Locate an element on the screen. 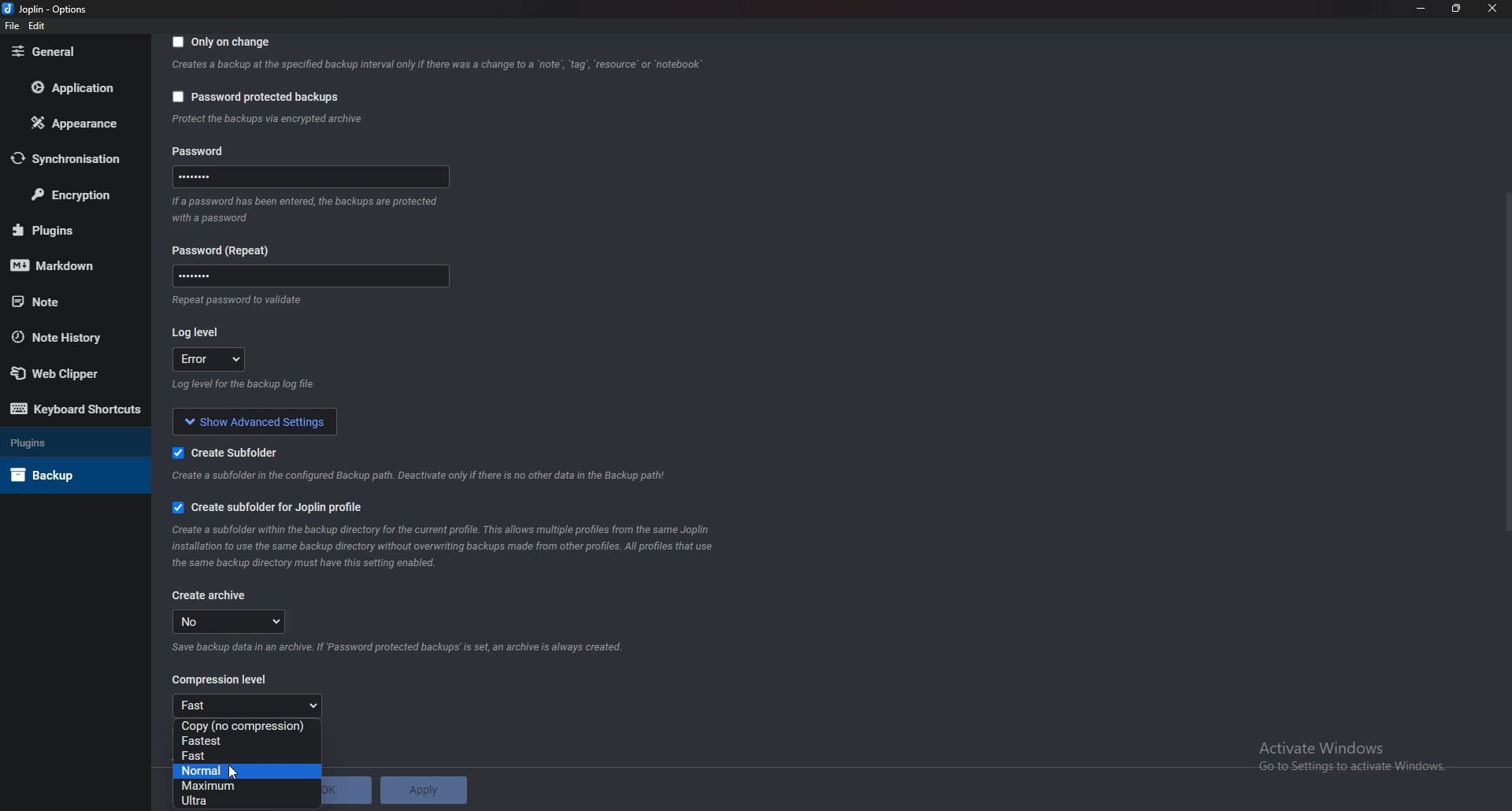  Encryption is located at coordinates (73, 194).